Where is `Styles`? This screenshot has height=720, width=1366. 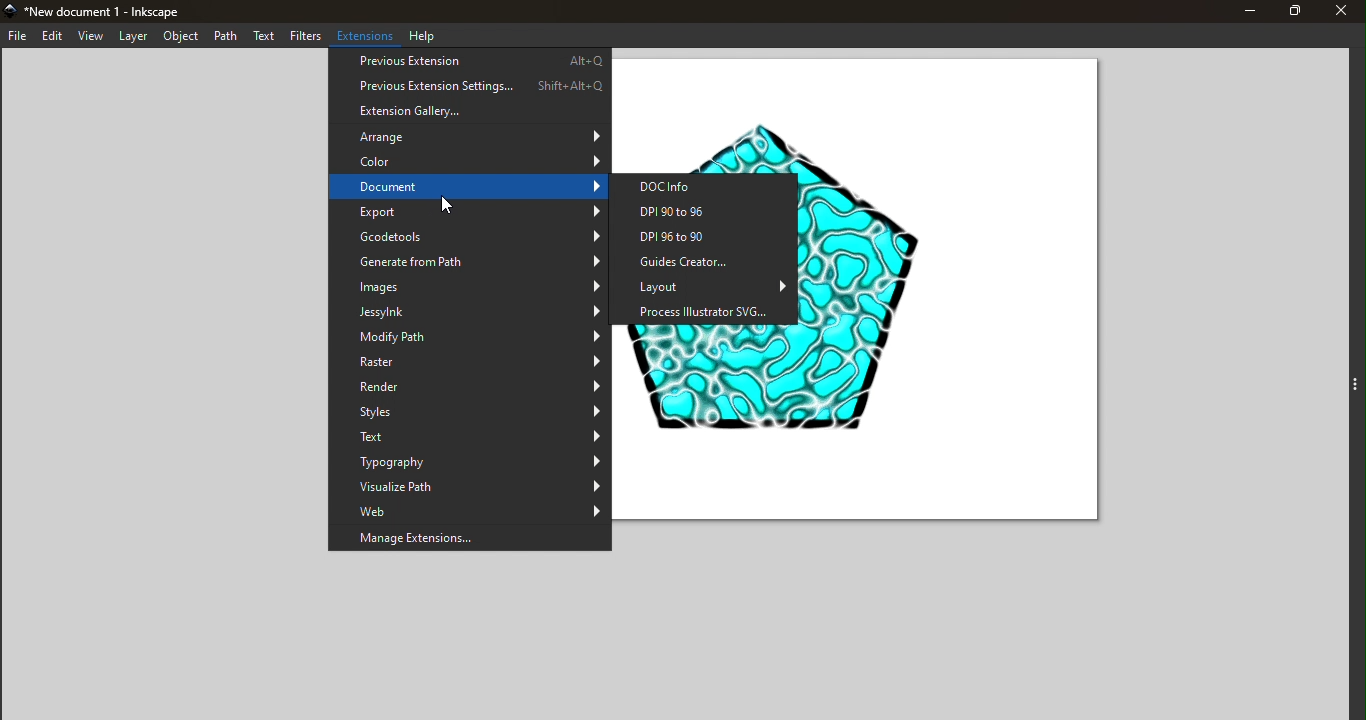 Styles is located at coordinates (470, 412).